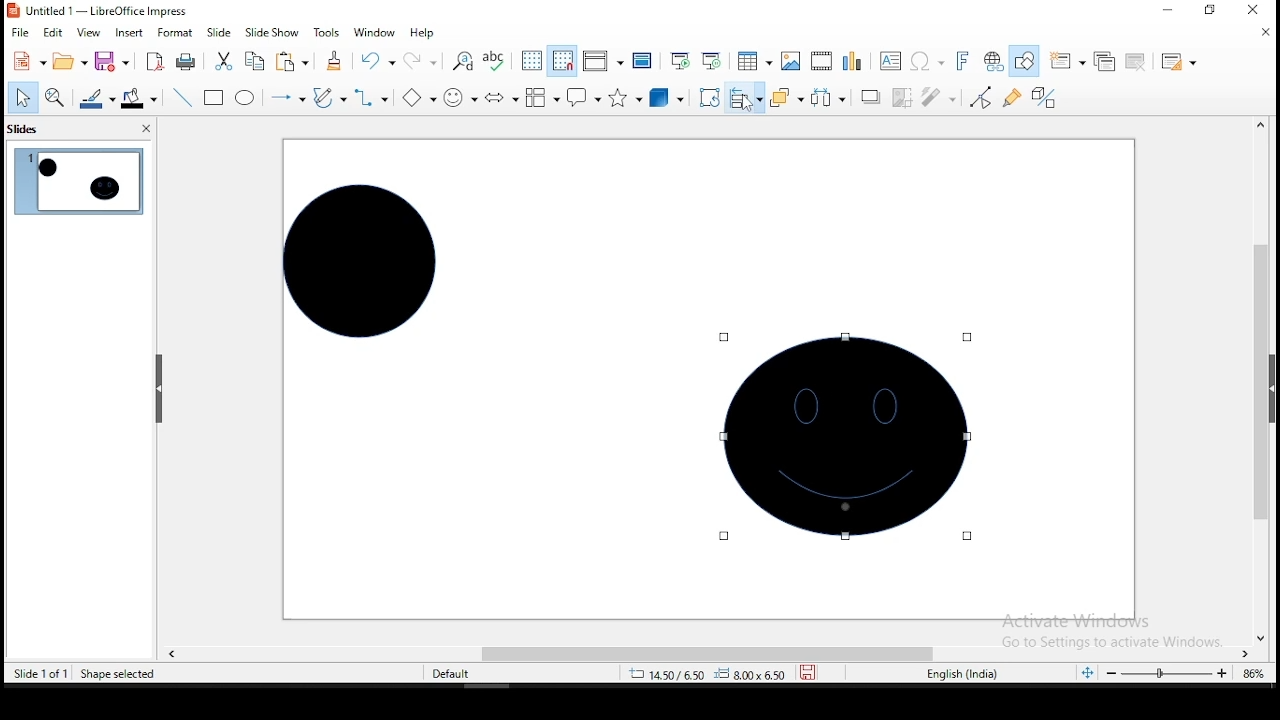 This screenshot has height=720, width=1280. What do you see at coordinates (139, 98) in the screenshot?
I see `paint bucket tool` at bounding box center [139, 98].